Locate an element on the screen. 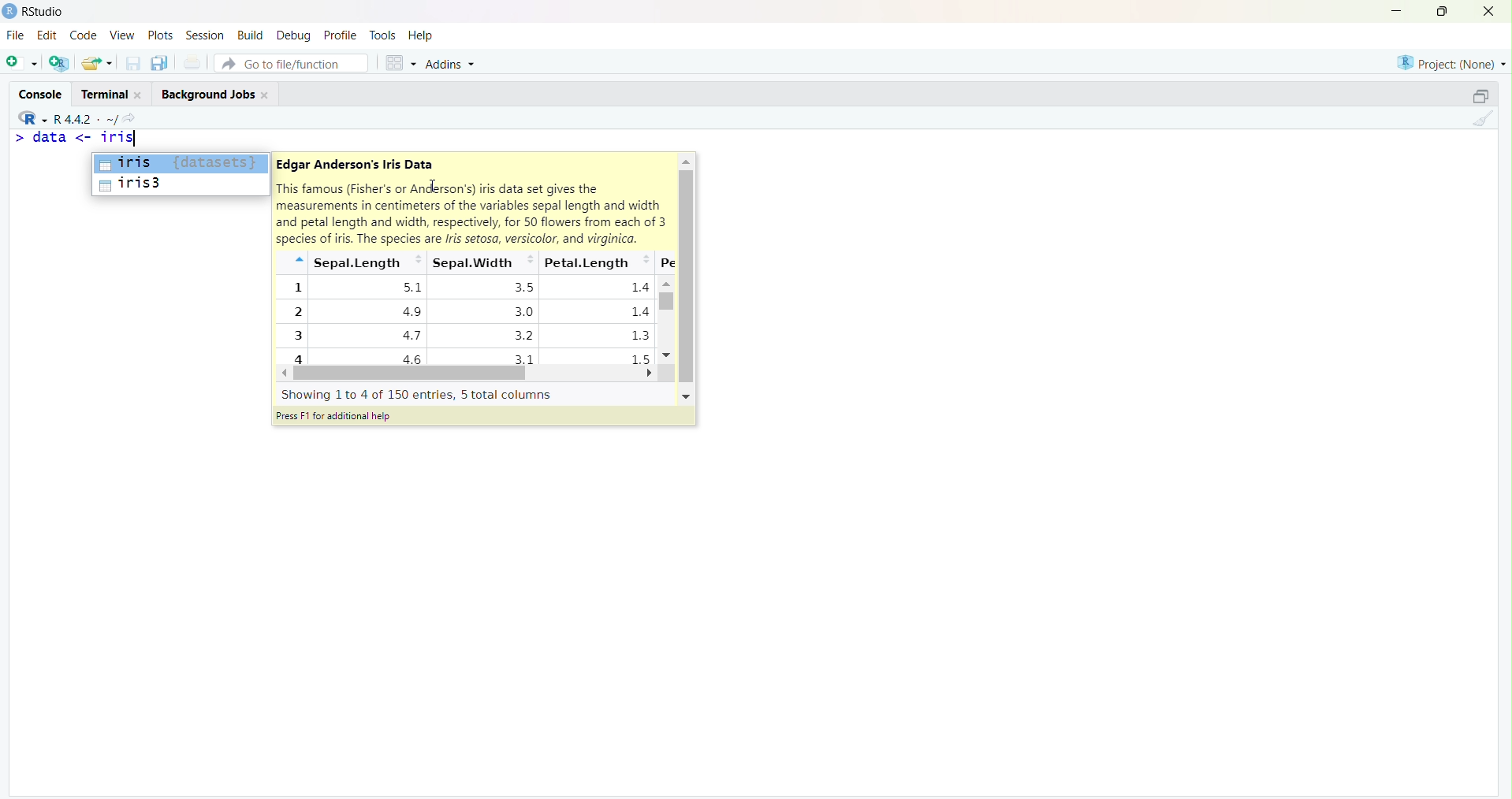 This screenshot has height=799, width=1512. Text cursor is located at coordinates (432, 186).